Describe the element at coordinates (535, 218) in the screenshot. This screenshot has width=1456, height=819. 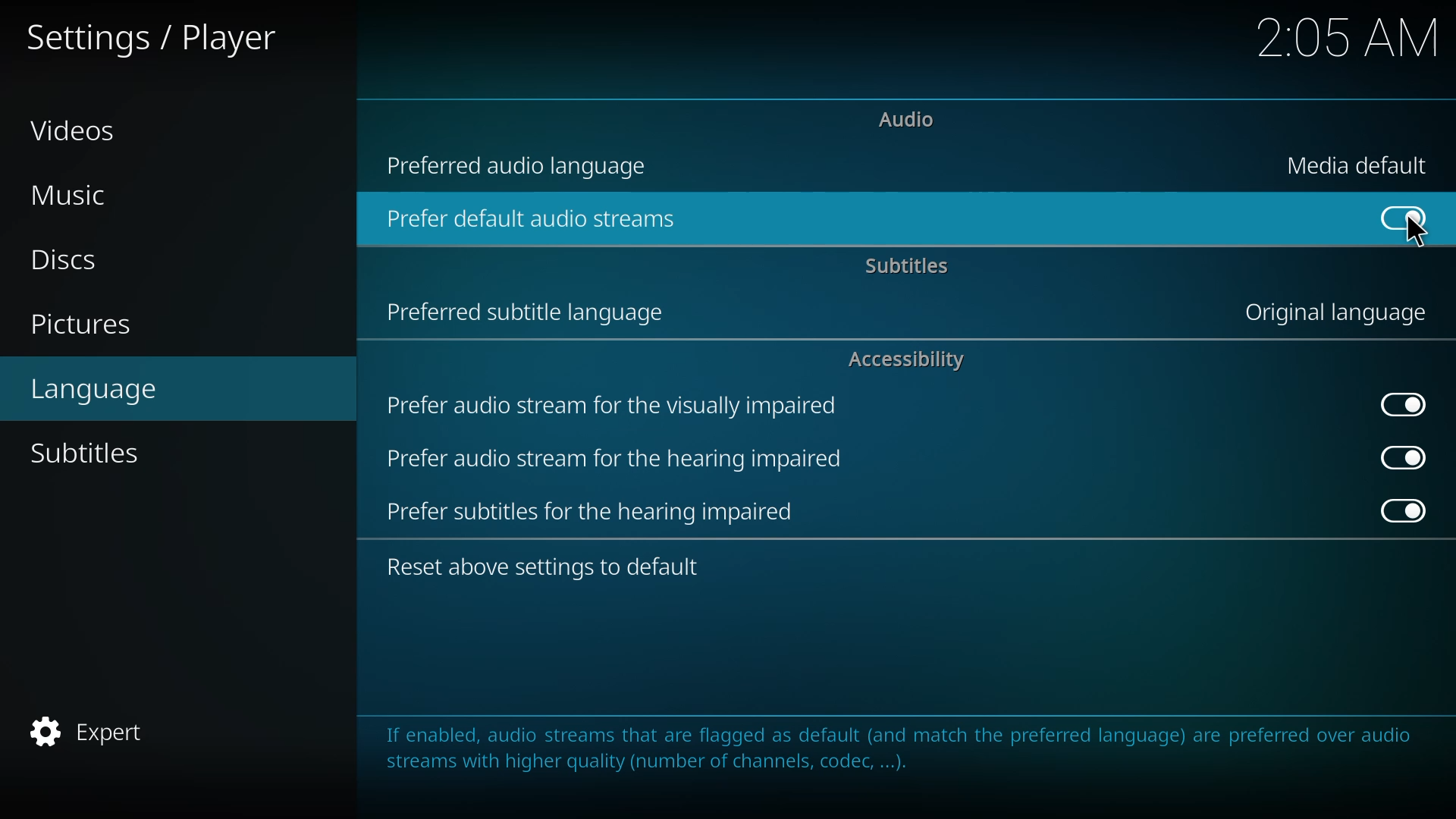
I see `prefer default audio` at that location.